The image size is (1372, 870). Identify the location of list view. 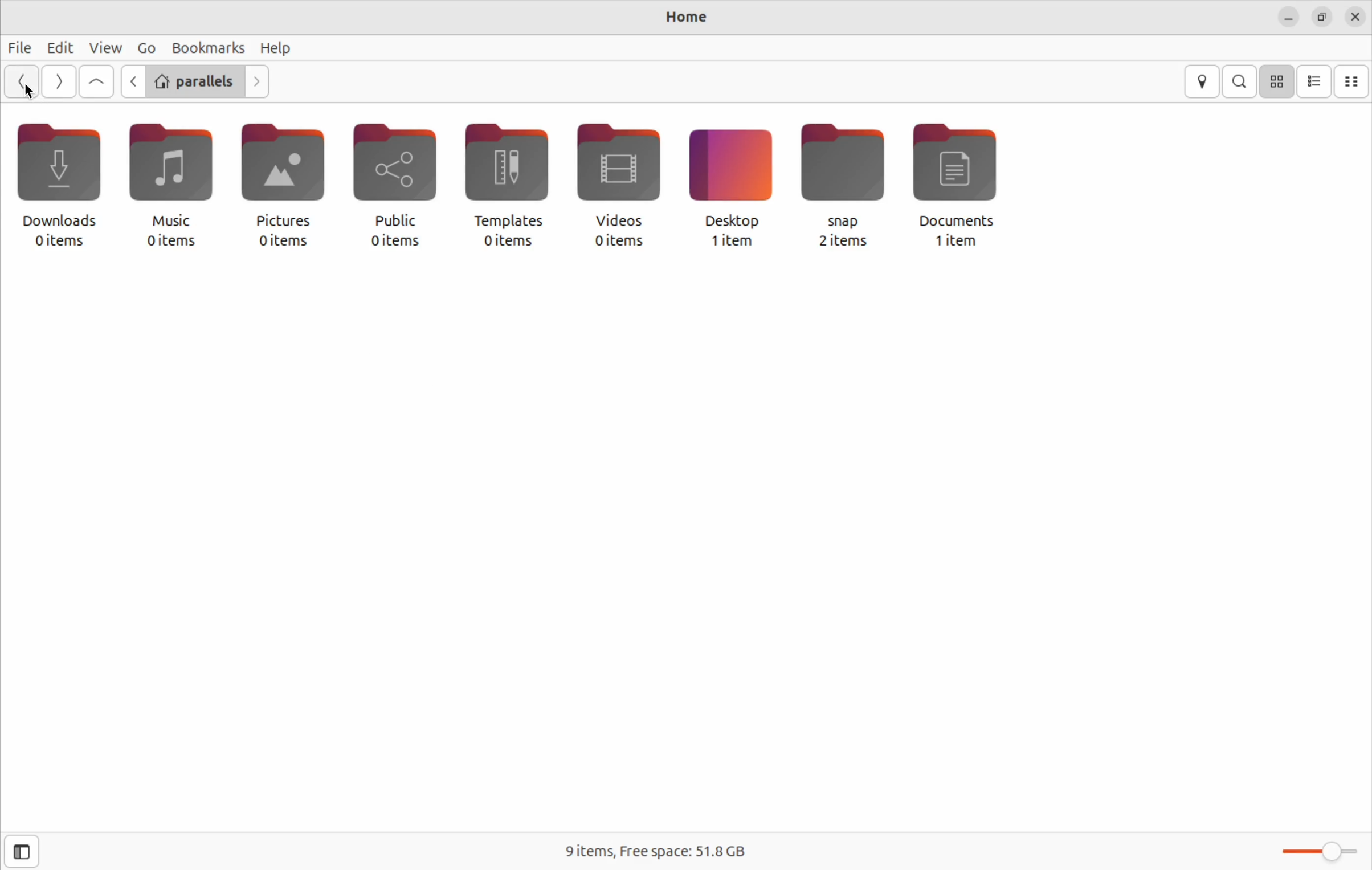
(1315, 81).